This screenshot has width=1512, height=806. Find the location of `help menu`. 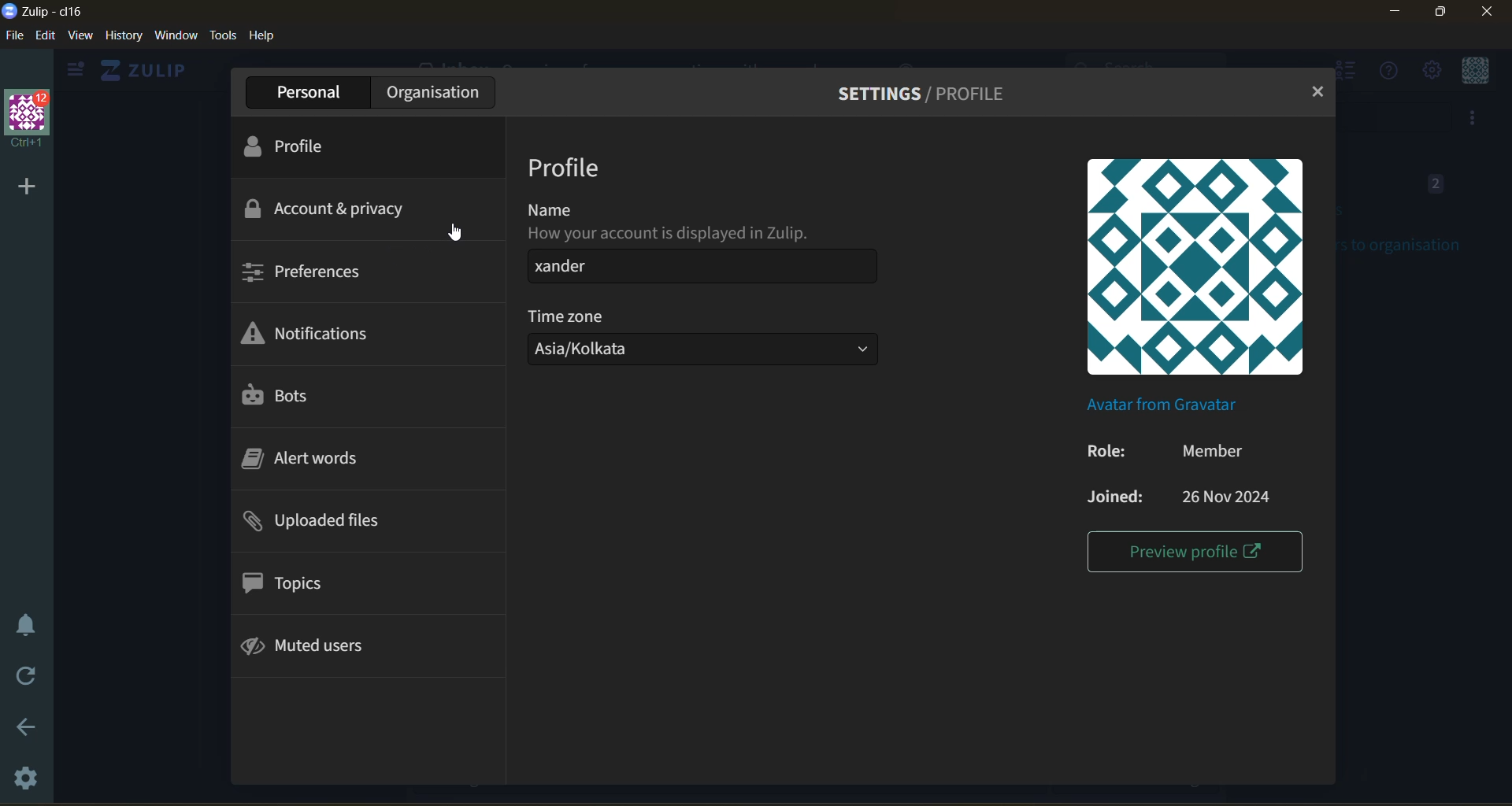

help menu is located at coordinates (1385, 72).